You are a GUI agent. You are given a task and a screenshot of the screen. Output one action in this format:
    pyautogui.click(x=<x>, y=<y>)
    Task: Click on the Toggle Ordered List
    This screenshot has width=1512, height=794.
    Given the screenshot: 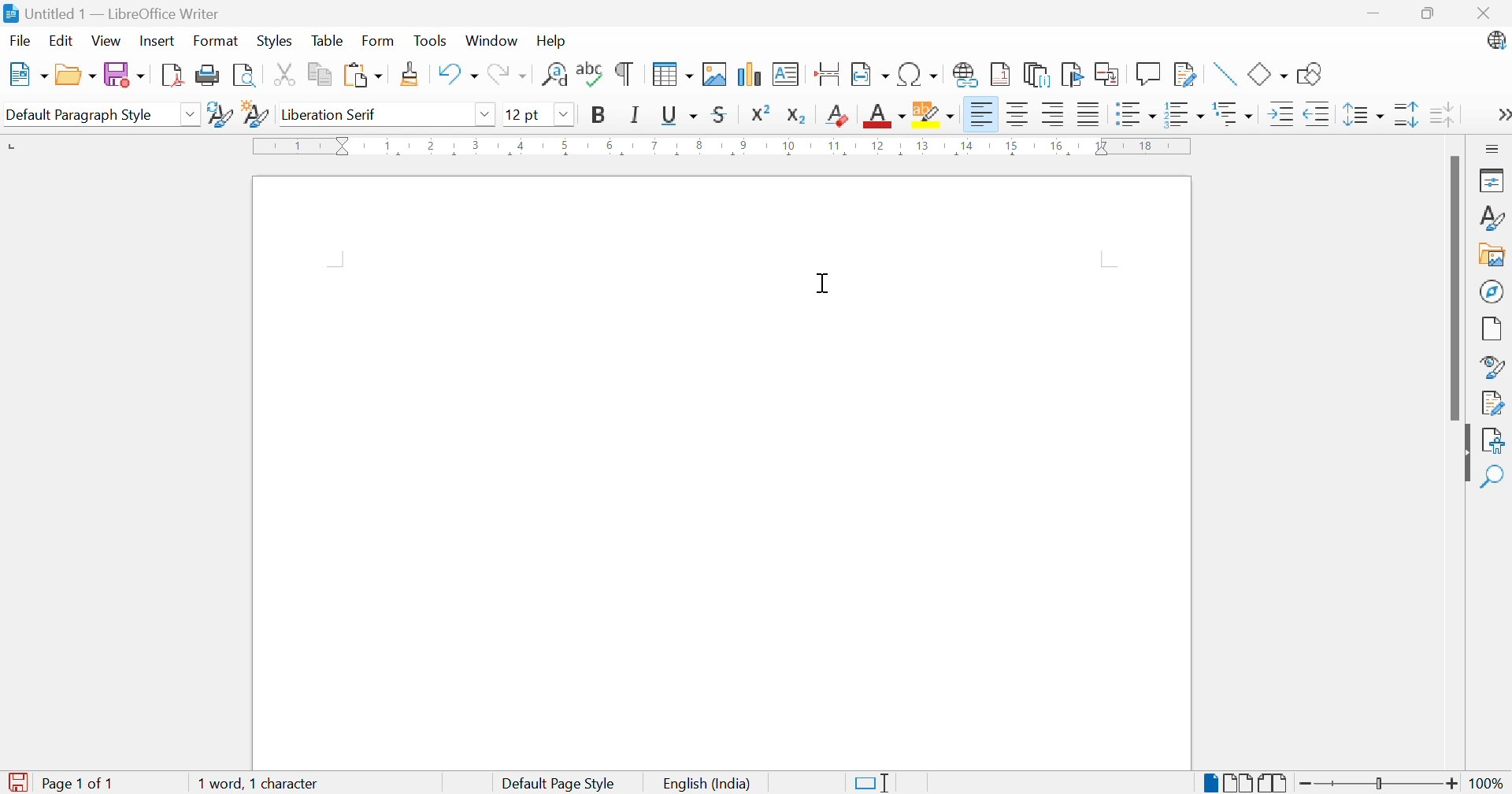 What is the action you would take?
    pyautogui.click(x=1185, y=113)
    